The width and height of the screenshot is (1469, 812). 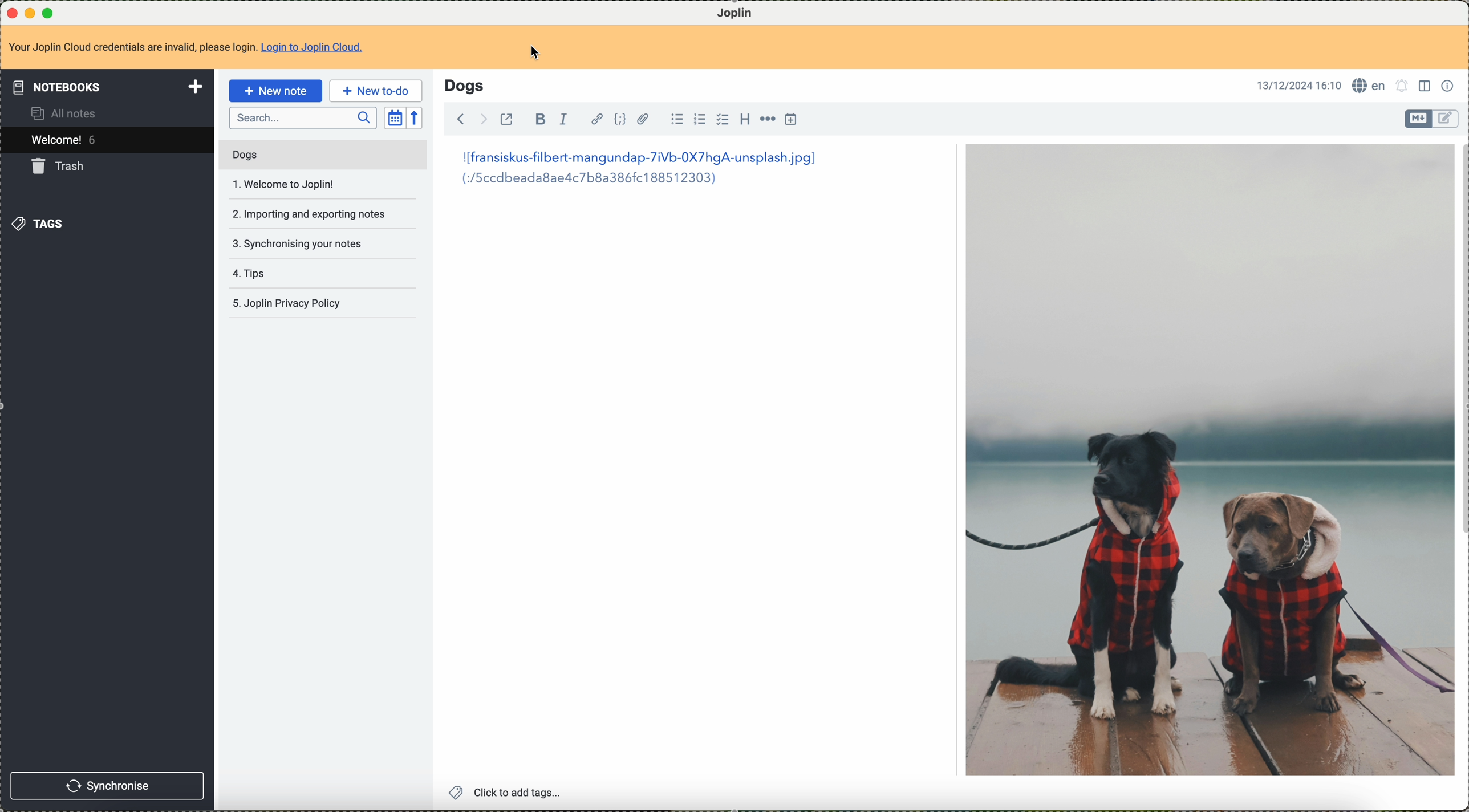 What do you see at coordinates (48, 11) in the screenshot?
I see `maximize` at bounding box center [48, 11].